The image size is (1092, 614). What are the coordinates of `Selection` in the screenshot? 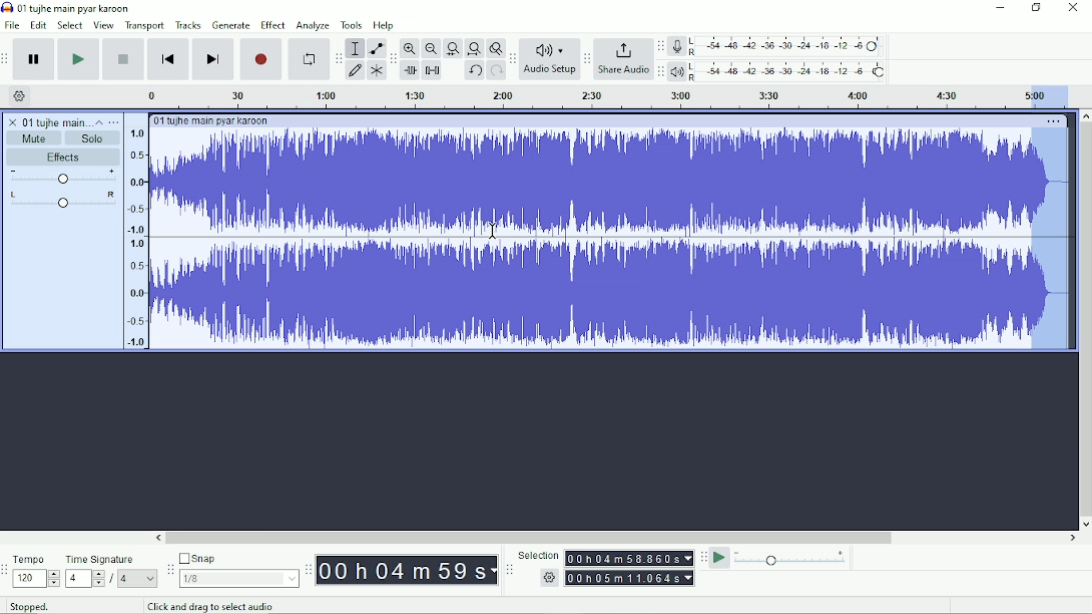 It's located at (538, 553).